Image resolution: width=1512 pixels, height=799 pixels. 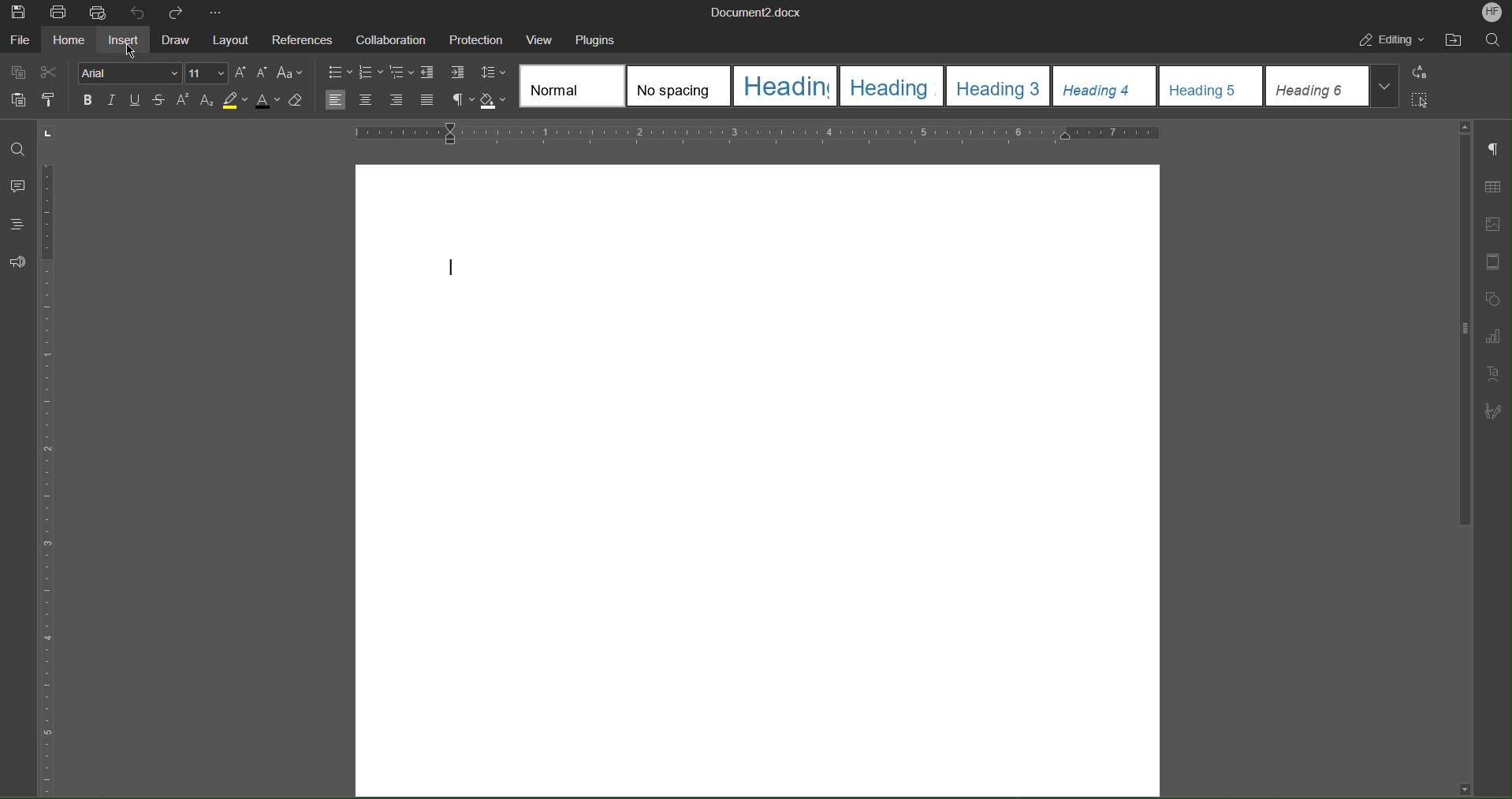 What do you see at coordinates (242, 71) in the screenshot?
I see `Increase Font` at bounding box center [242, 71].